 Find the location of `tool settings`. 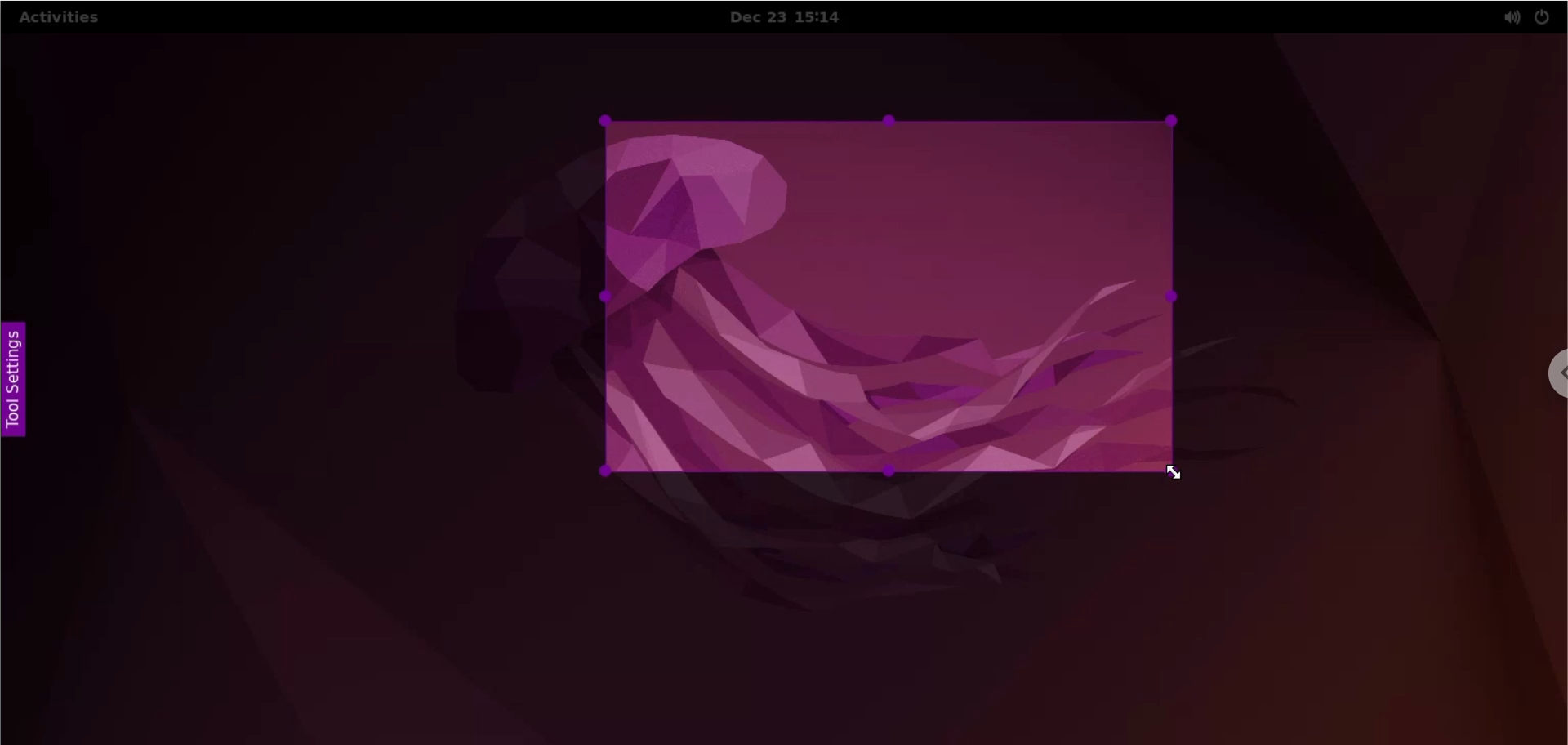

tool settings is located at coordinates (16, 383).